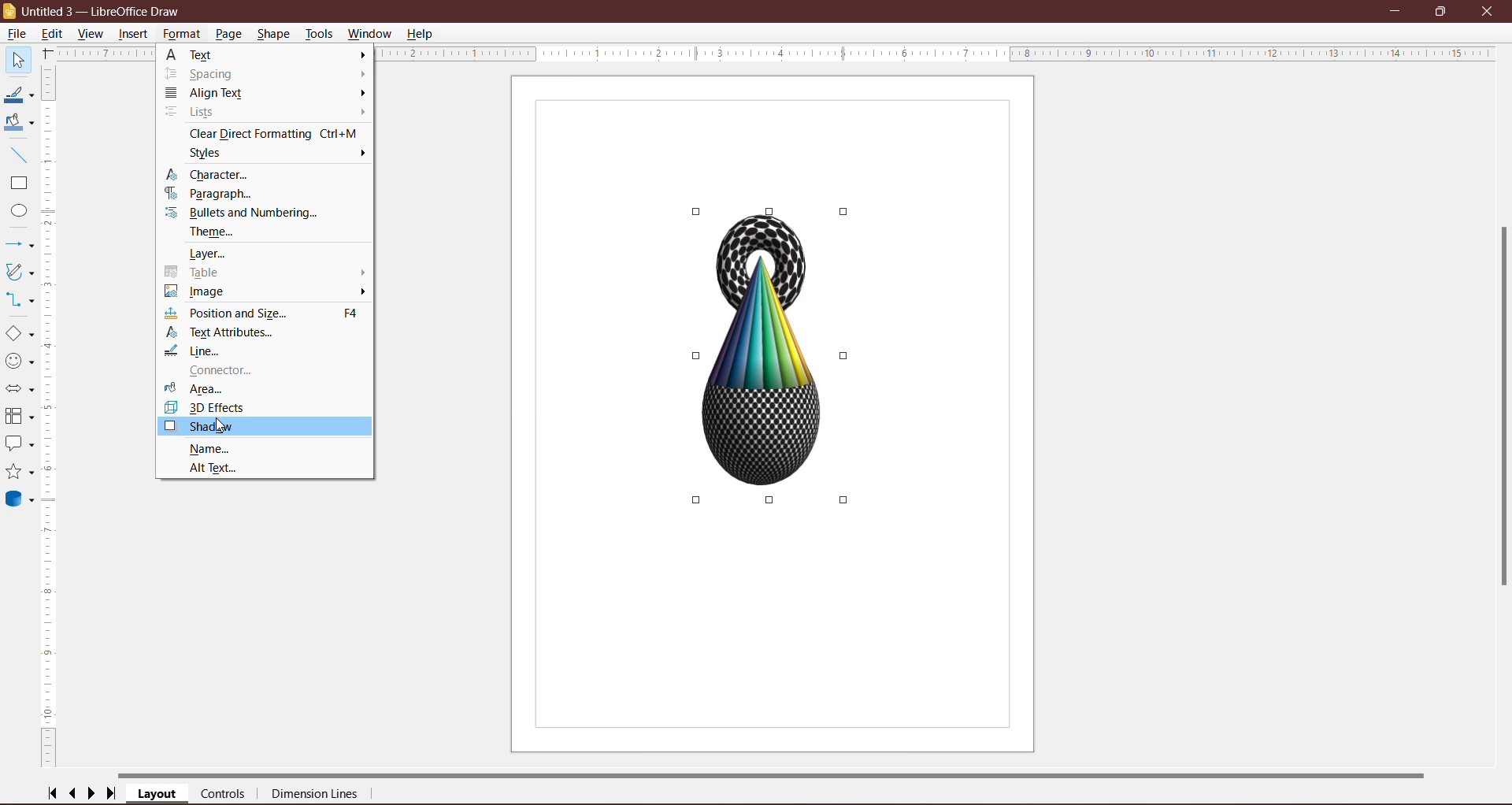  What do you see at coordinates (18, 184) in the screenshot?
I see `Rectangle` at bounding box center [18, 184].